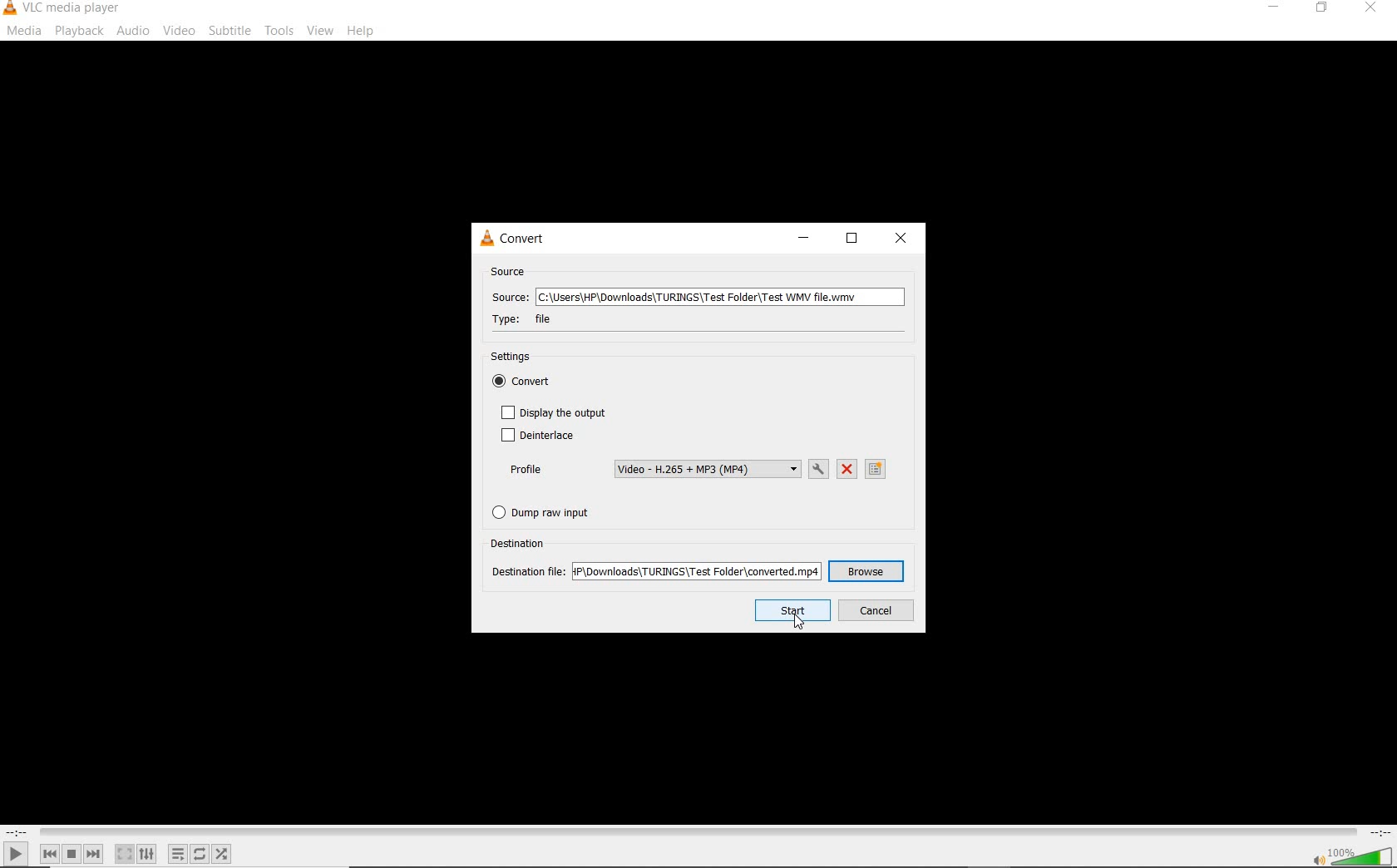  What do you see at coordinates (1317, 859) in the screenshot?
I see `mute/unmute` at bounding box center [1317, 859].